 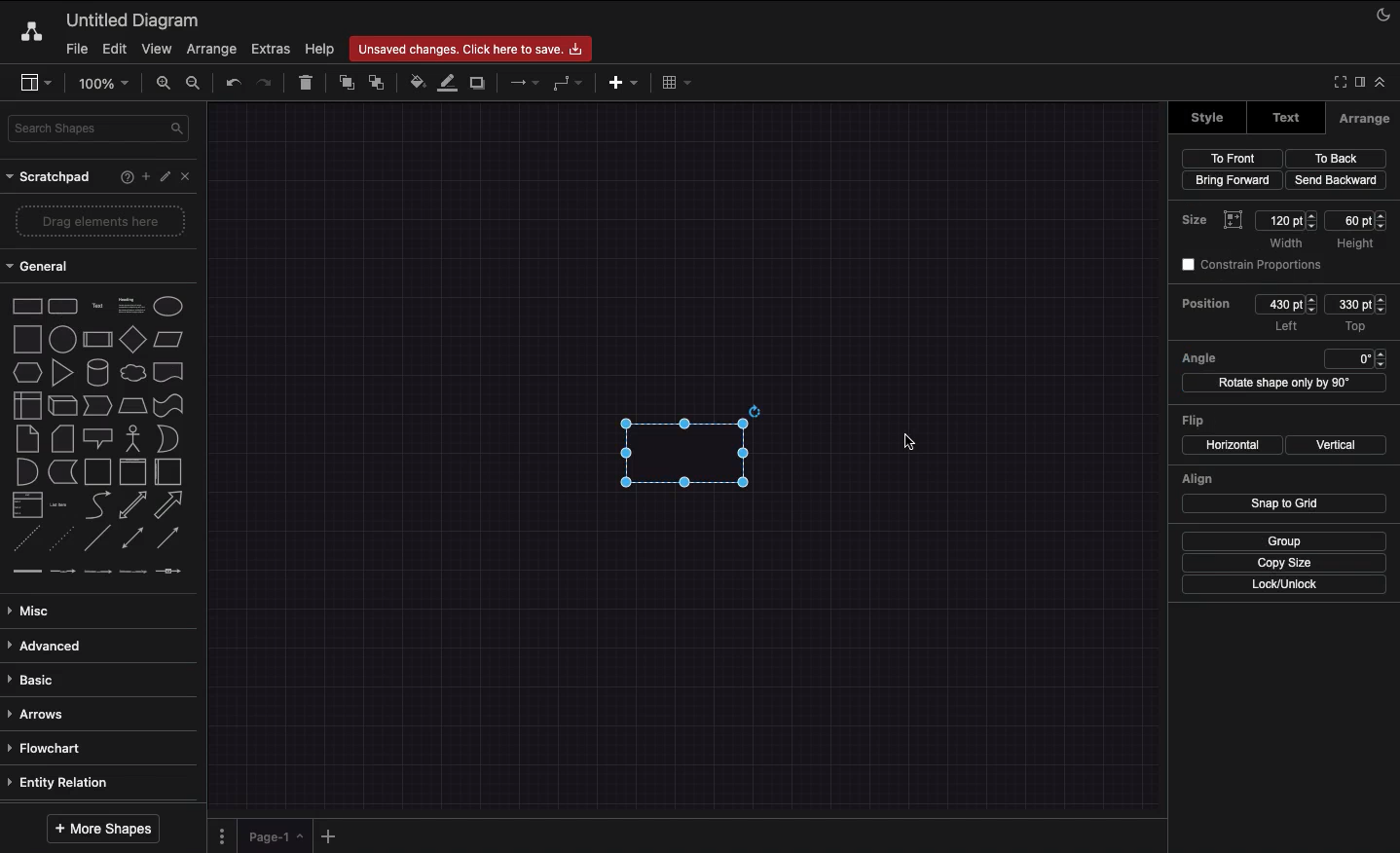 What do you see at coordinates (98, 220) in the screenshot?
I see `Drag elements here` at bounding box center [98, 220].